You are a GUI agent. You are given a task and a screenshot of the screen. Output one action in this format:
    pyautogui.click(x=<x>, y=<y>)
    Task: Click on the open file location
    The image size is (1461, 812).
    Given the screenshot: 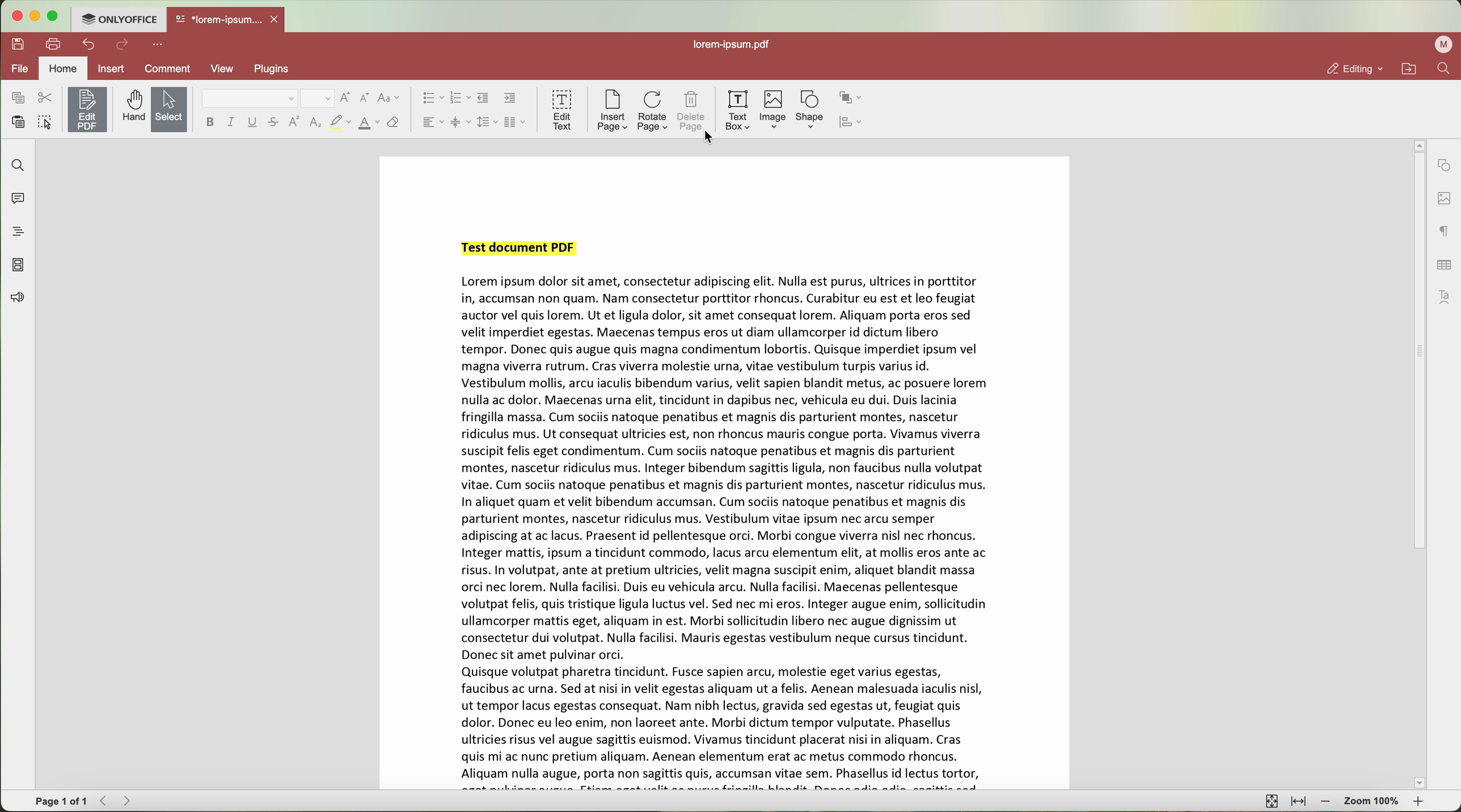 What is the action you would take?
    pyautogui.click(x=1410, y=69)
    